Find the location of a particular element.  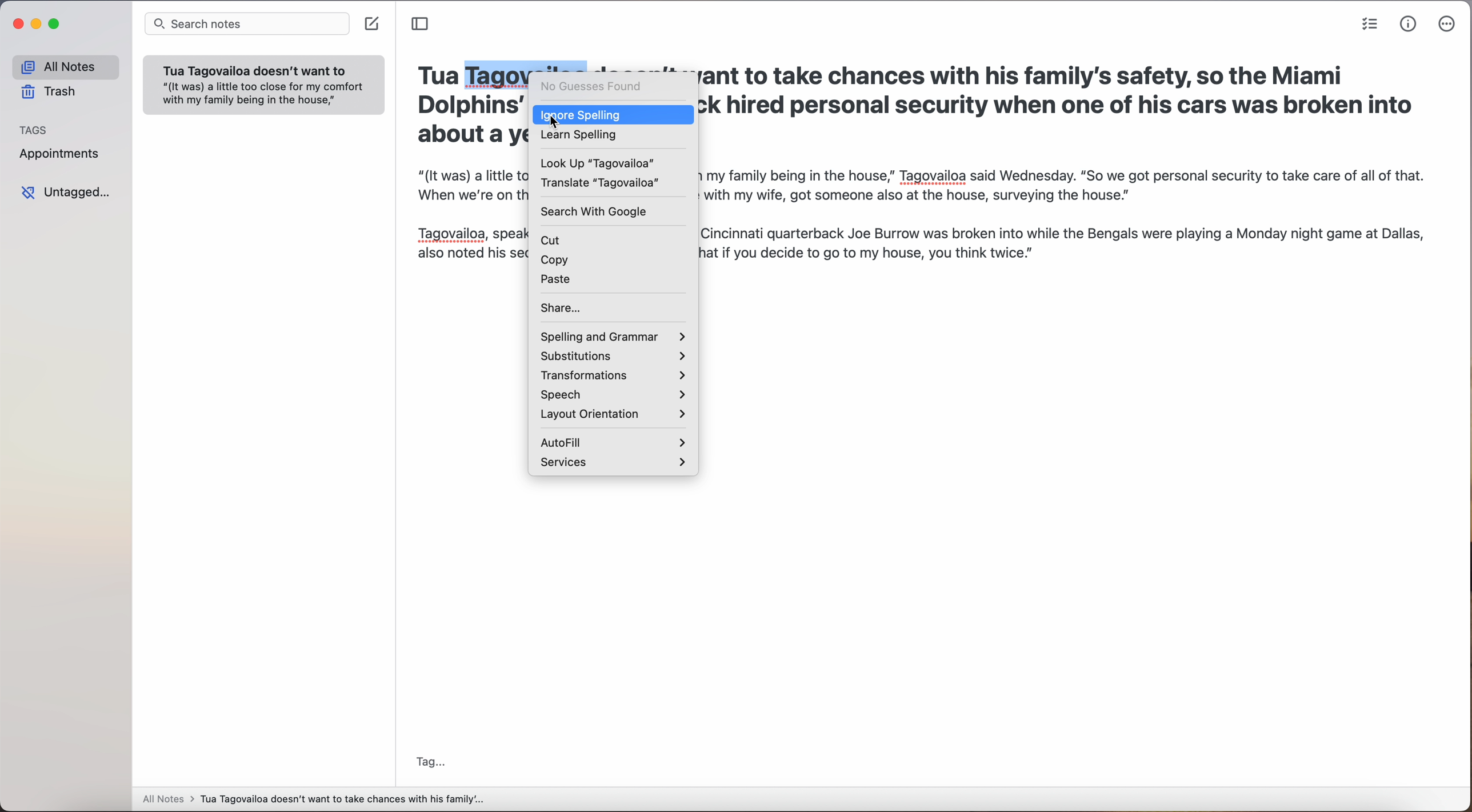

Tua Tagovailoa doesn’t want to
“(It was) a little too close for my comfort
with my family being in the house,” is located at coordinates (263, 90).